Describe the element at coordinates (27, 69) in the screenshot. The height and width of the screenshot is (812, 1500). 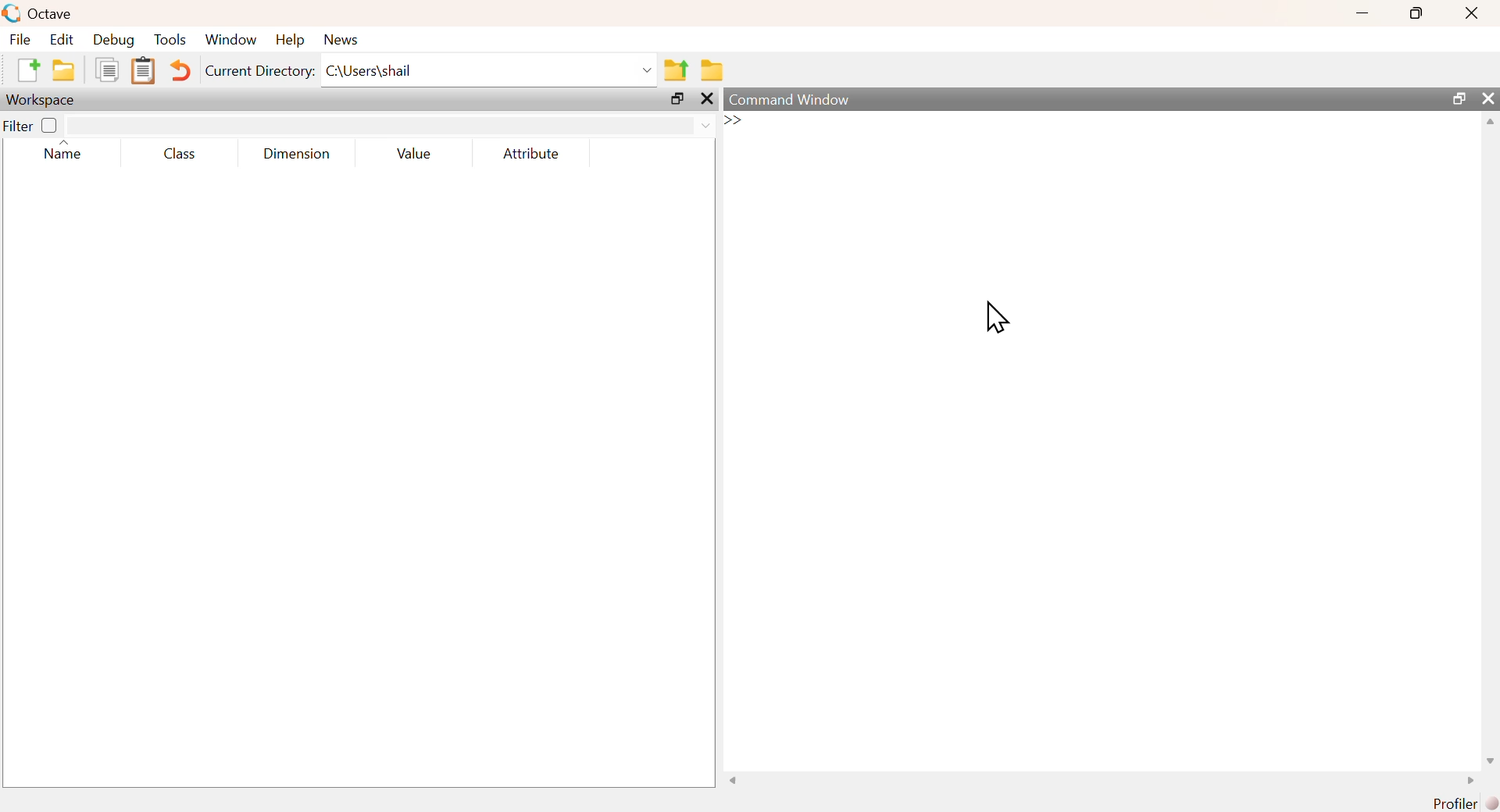
I see `New File` at that location.